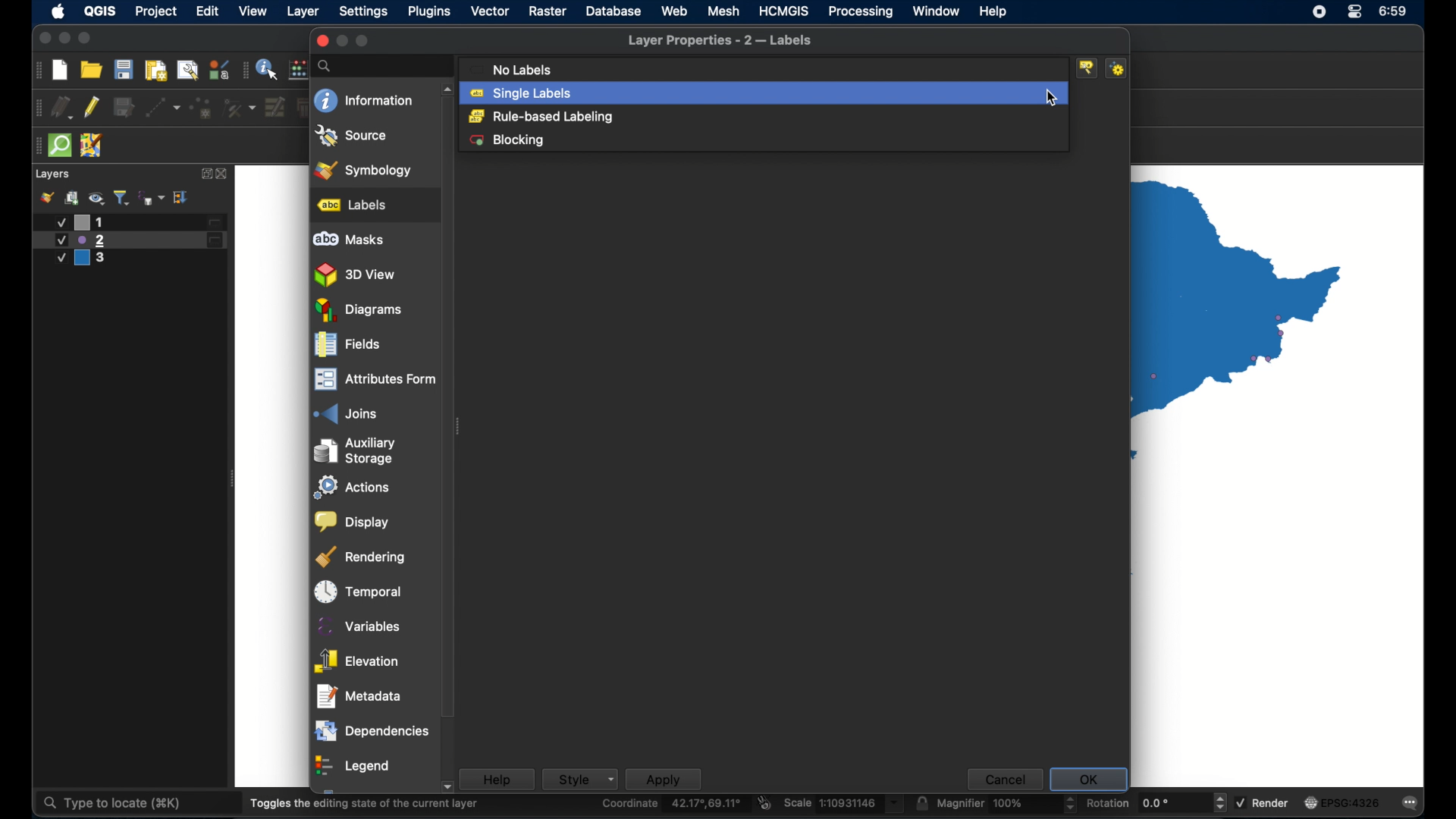 This screenshot has height=819, width=1456. What do you see at coordinates (363, 100) in the screenshot?
I see `information` at bounding box center [363, 100].